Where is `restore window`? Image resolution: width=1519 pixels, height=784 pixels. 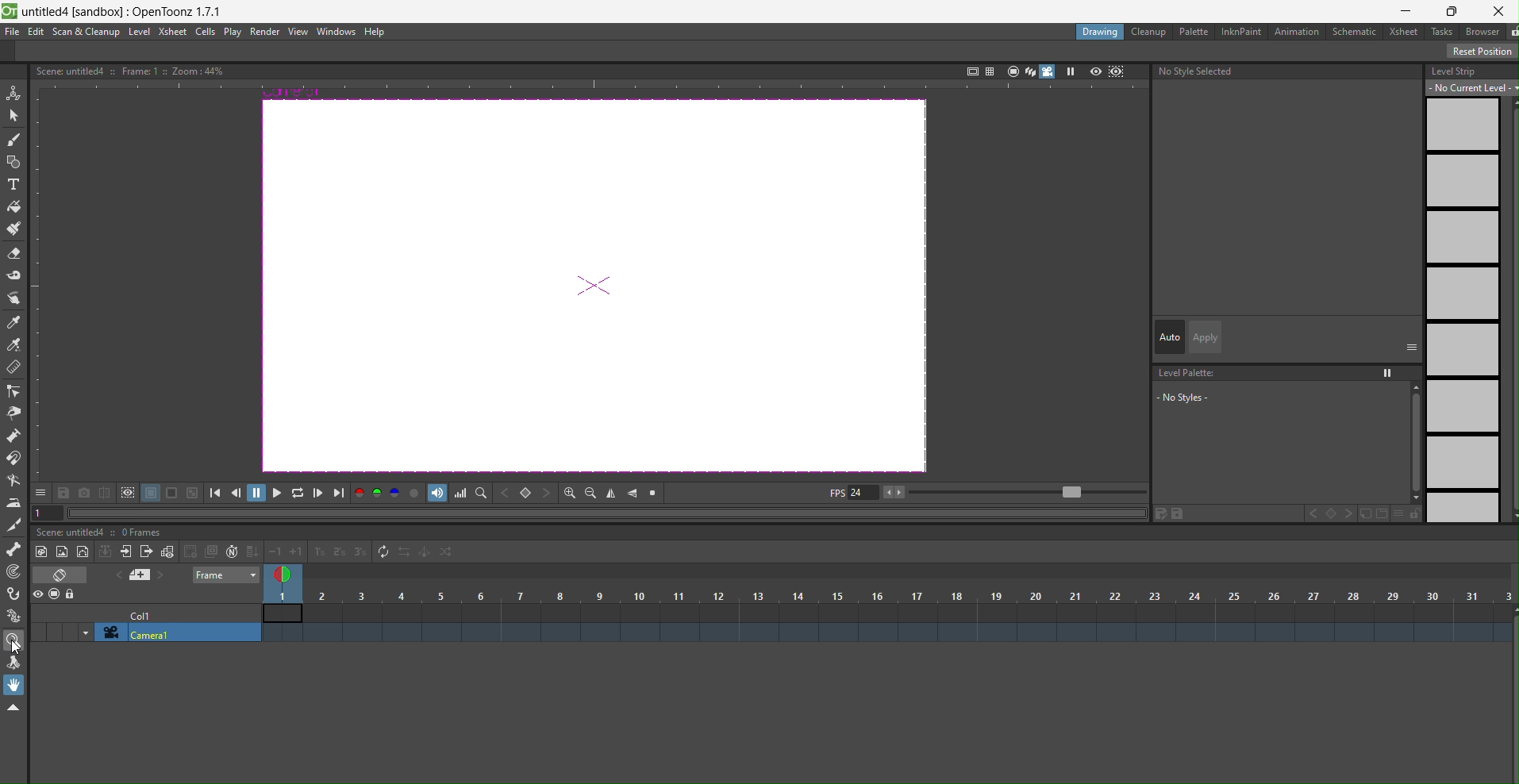 restore window is located at coordinates (1452, 11).